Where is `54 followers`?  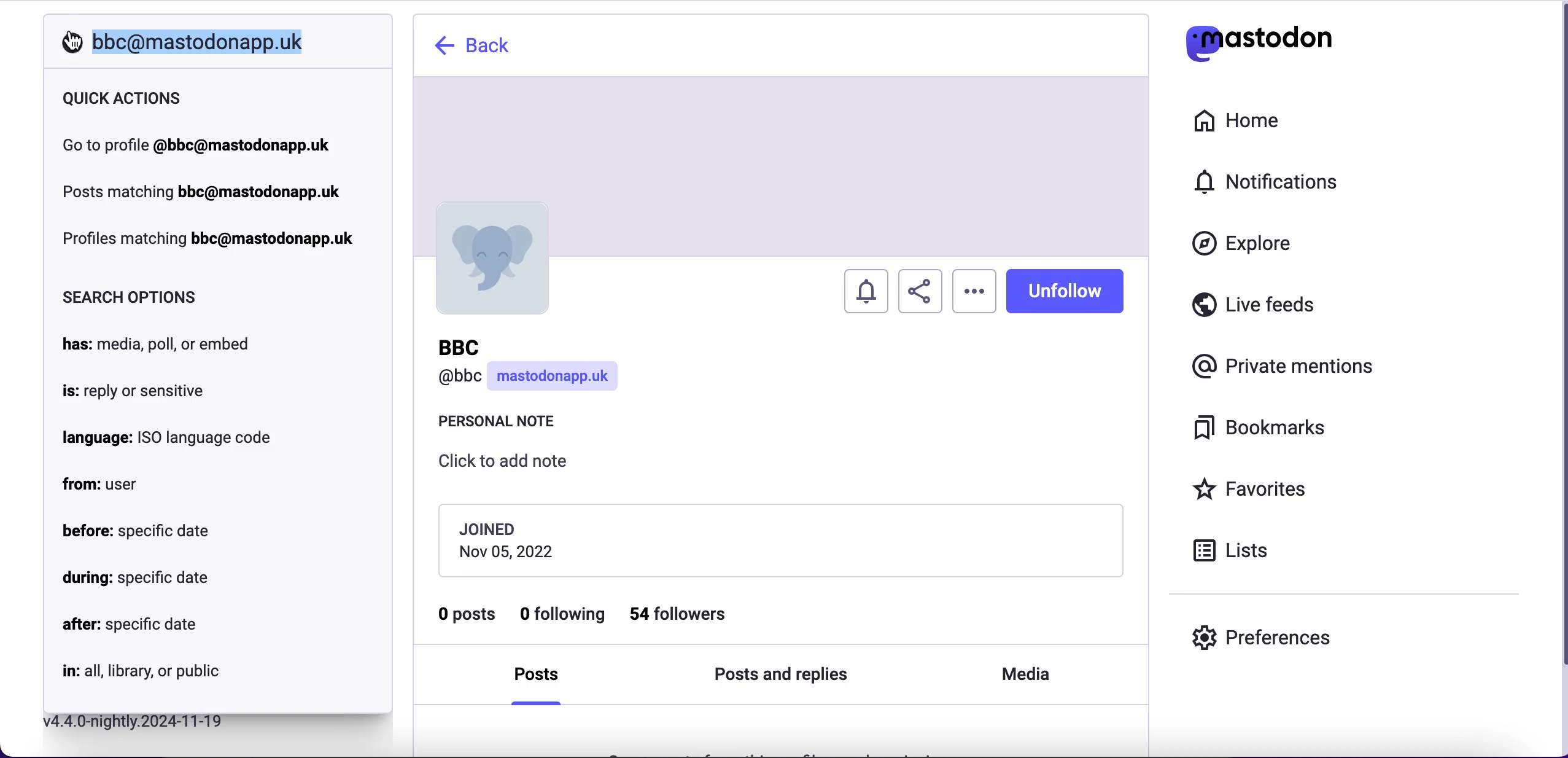
54 followers is located at coordinates (689, 614).